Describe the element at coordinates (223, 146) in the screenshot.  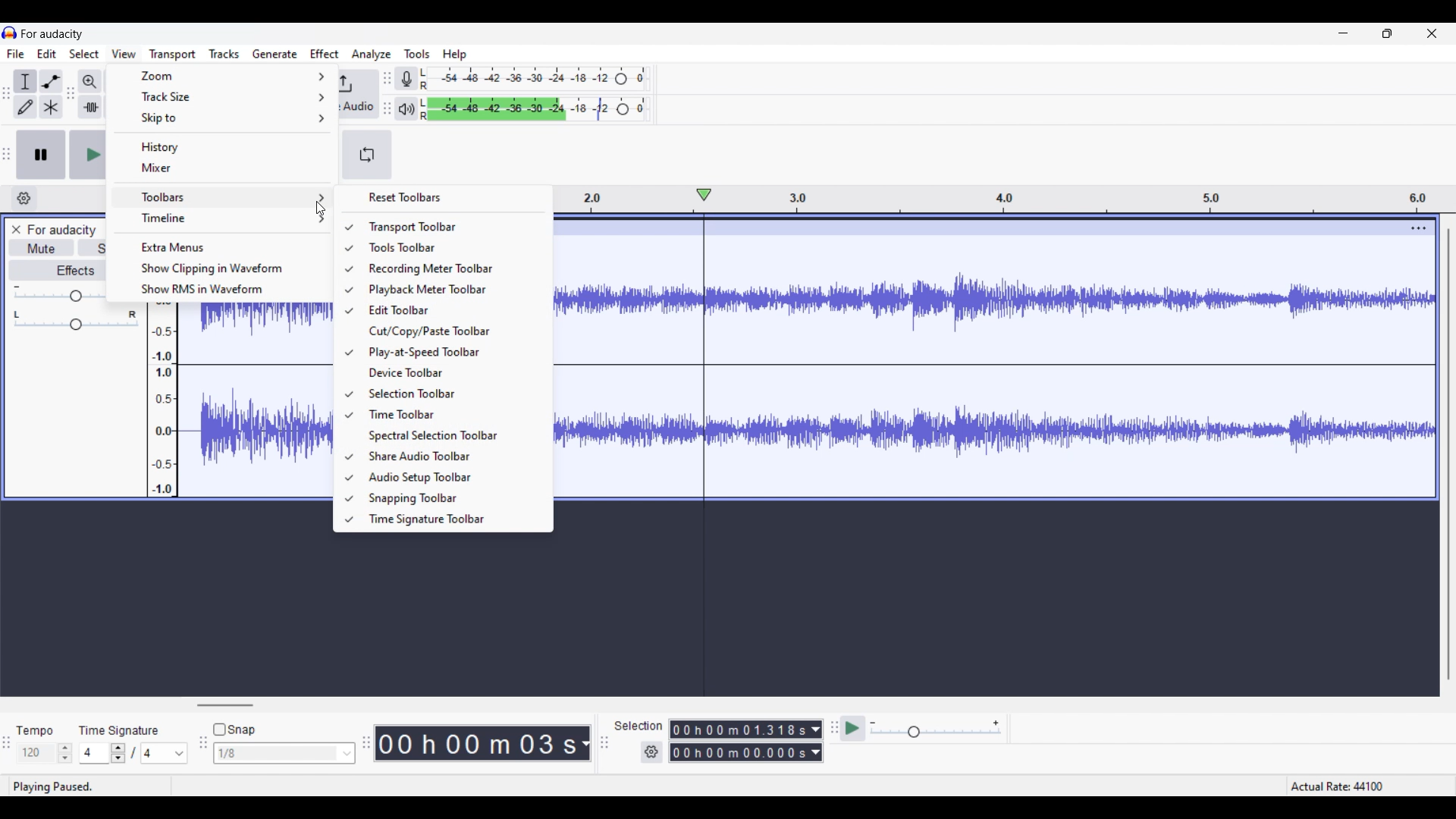
I see `History` at that location.